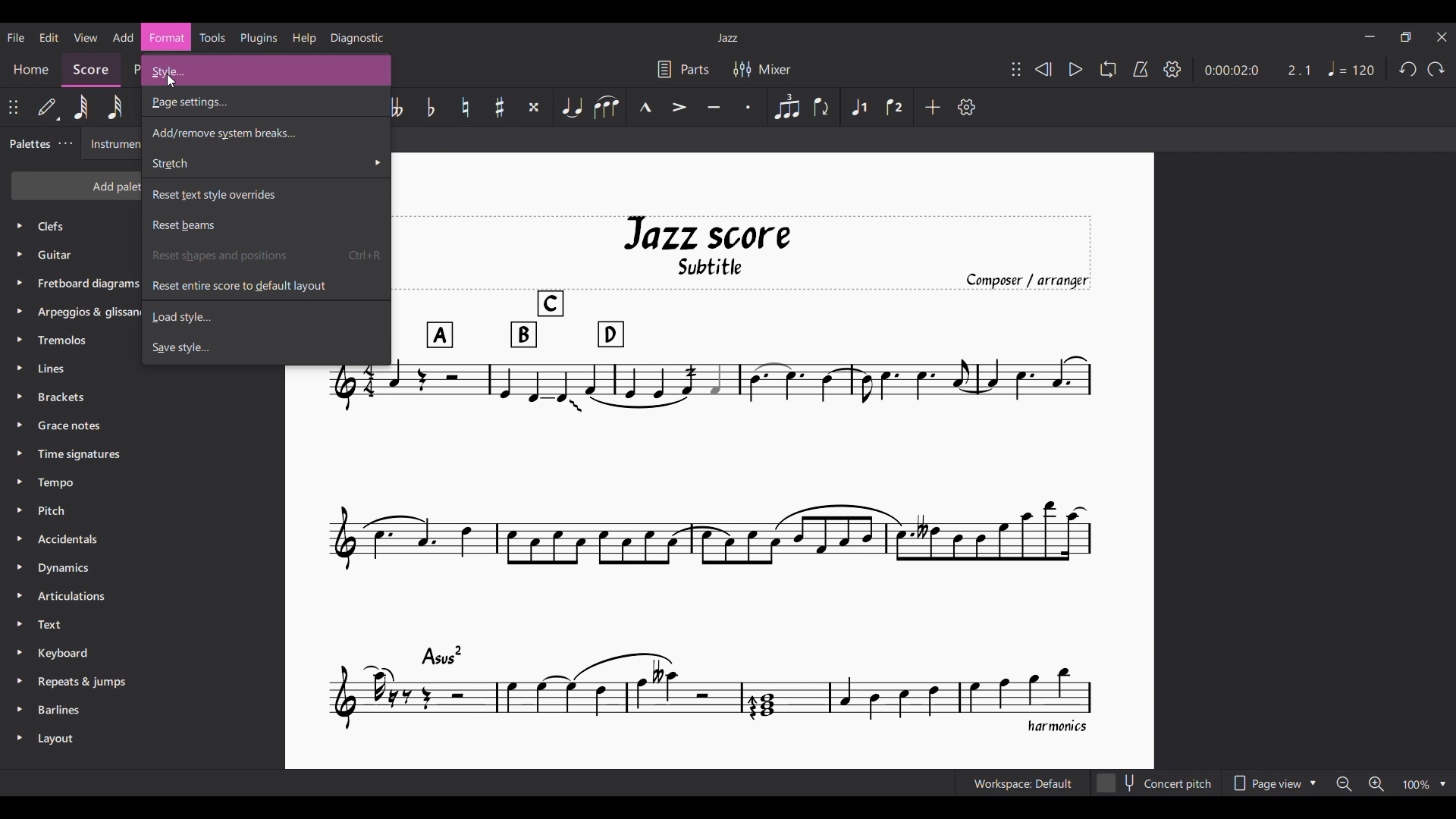 Image resolution: width=1456 pixels, height=819 pixels. What do you see at coordinates (52, 626) in the screenshot?
I see `Text` at bounding box center [52, 626].